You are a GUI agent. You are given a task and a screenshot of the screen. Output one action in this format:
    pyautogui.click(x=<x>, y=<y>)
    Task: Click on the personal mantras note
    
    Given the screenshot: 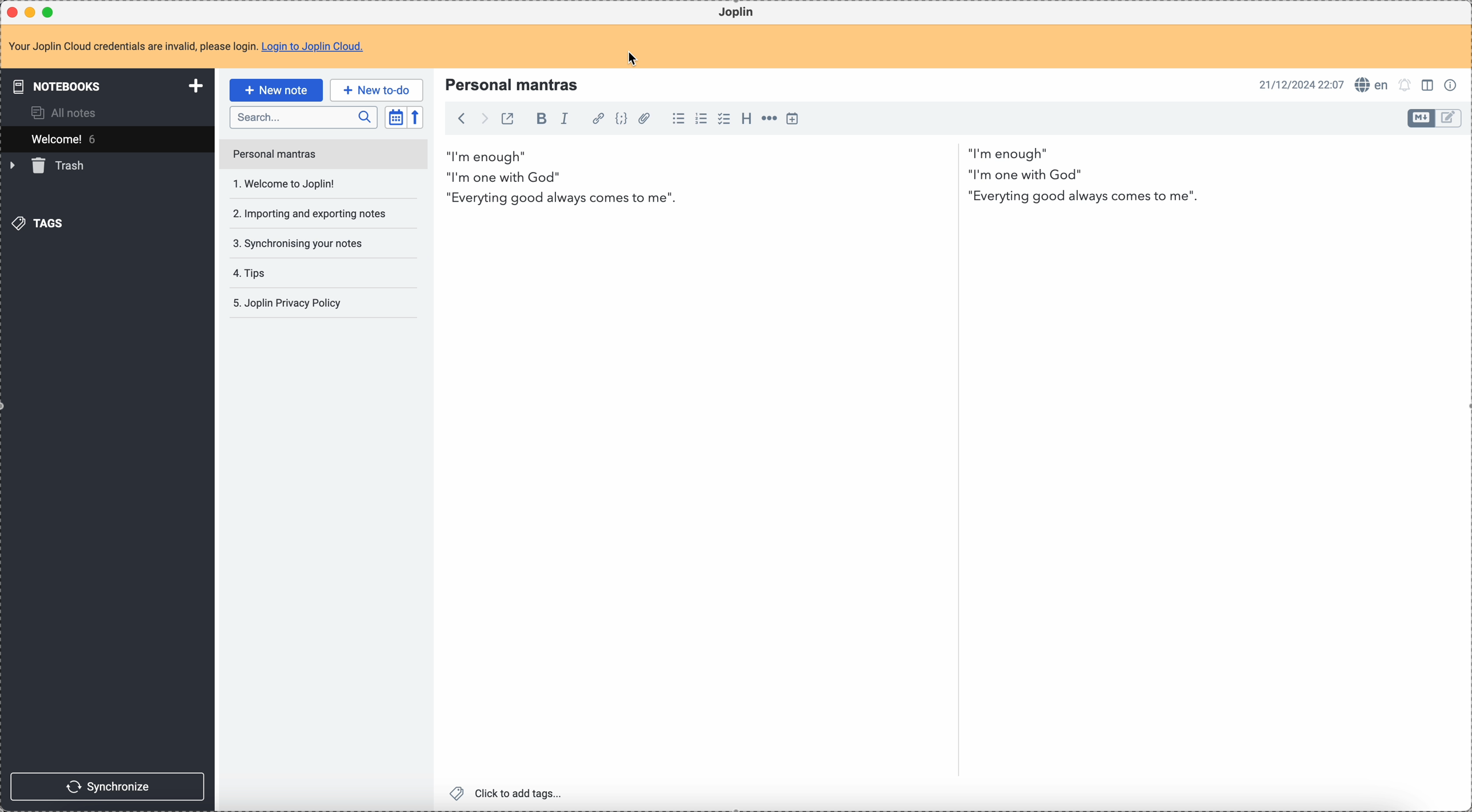 What is the action you would take?
    pyautogui.click(x=322, y=154)
    